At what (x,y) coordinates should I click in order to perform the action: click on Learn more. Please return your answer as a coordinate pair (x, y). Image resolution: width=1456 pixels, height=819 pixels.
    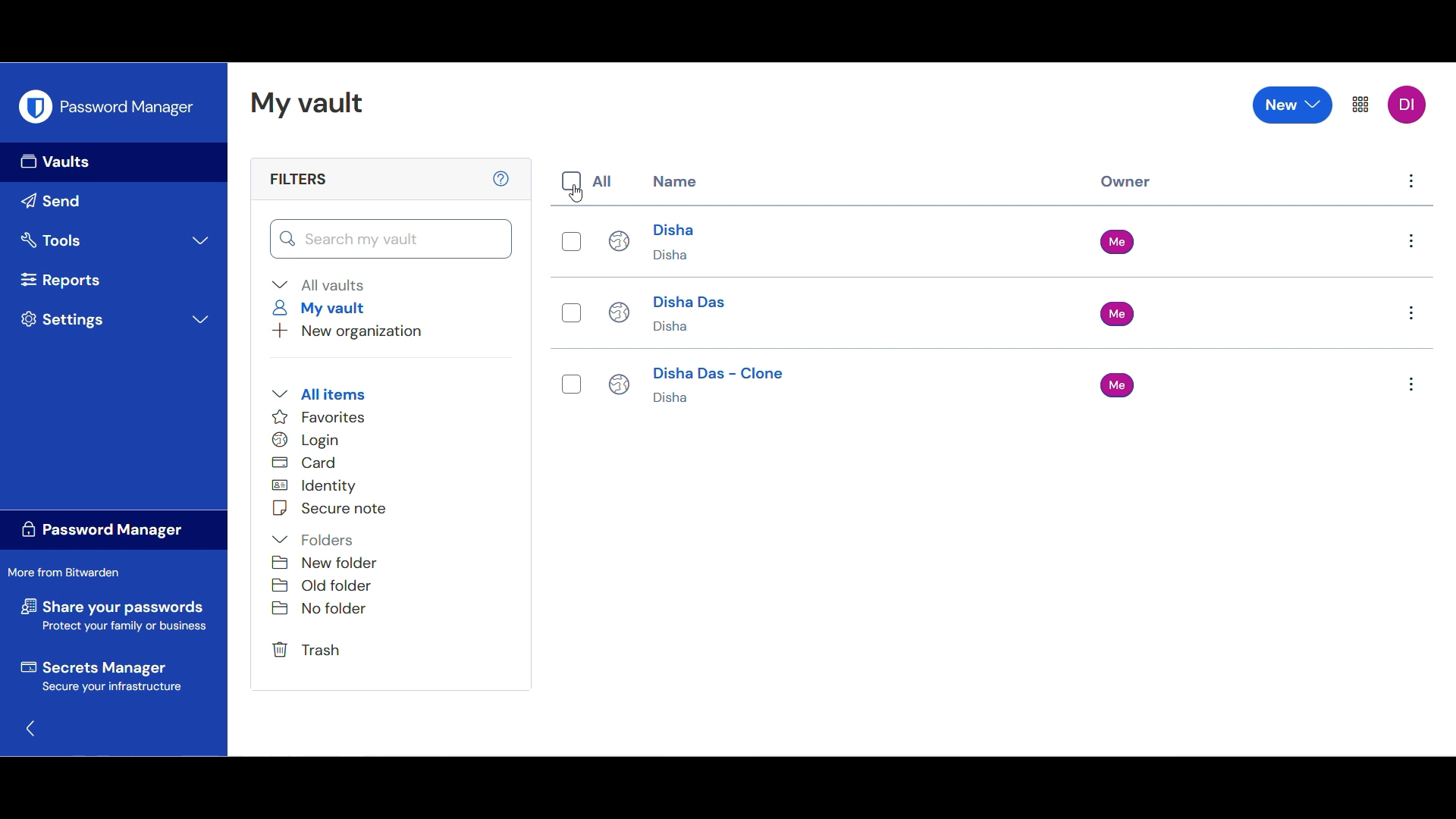
    Looking at the image, I should click on (500, 178).